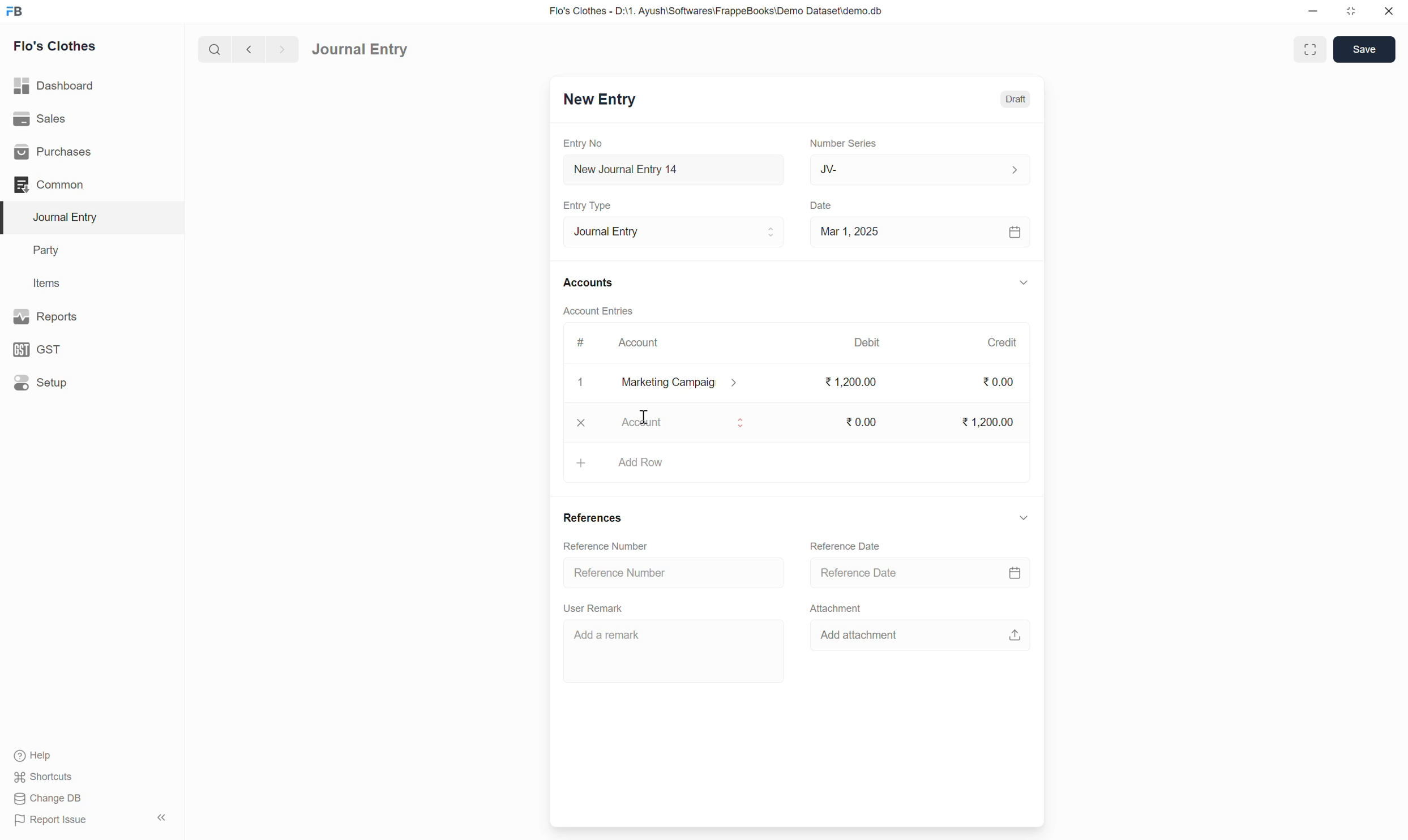  What do you see at coordinates (1017, 98) in the screenshot?
I see `Draft` at bounding box center [1017, 98].